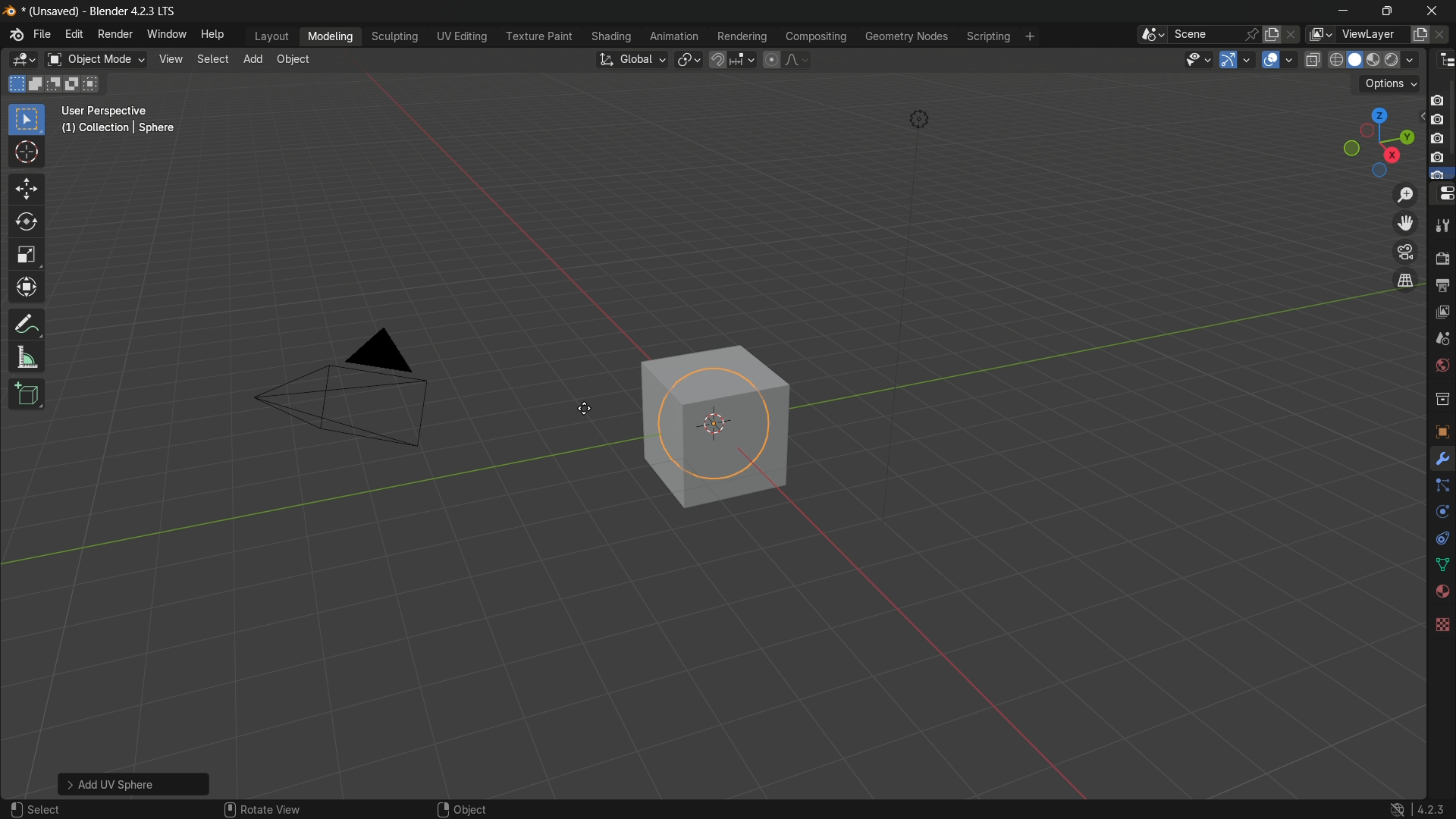 Image resolution: width=1456 pixels, height=819 pixels. What do you see at coordinates (1401, 58) in the screenshot?
I see `render display` at bounding box center [1401, 58].